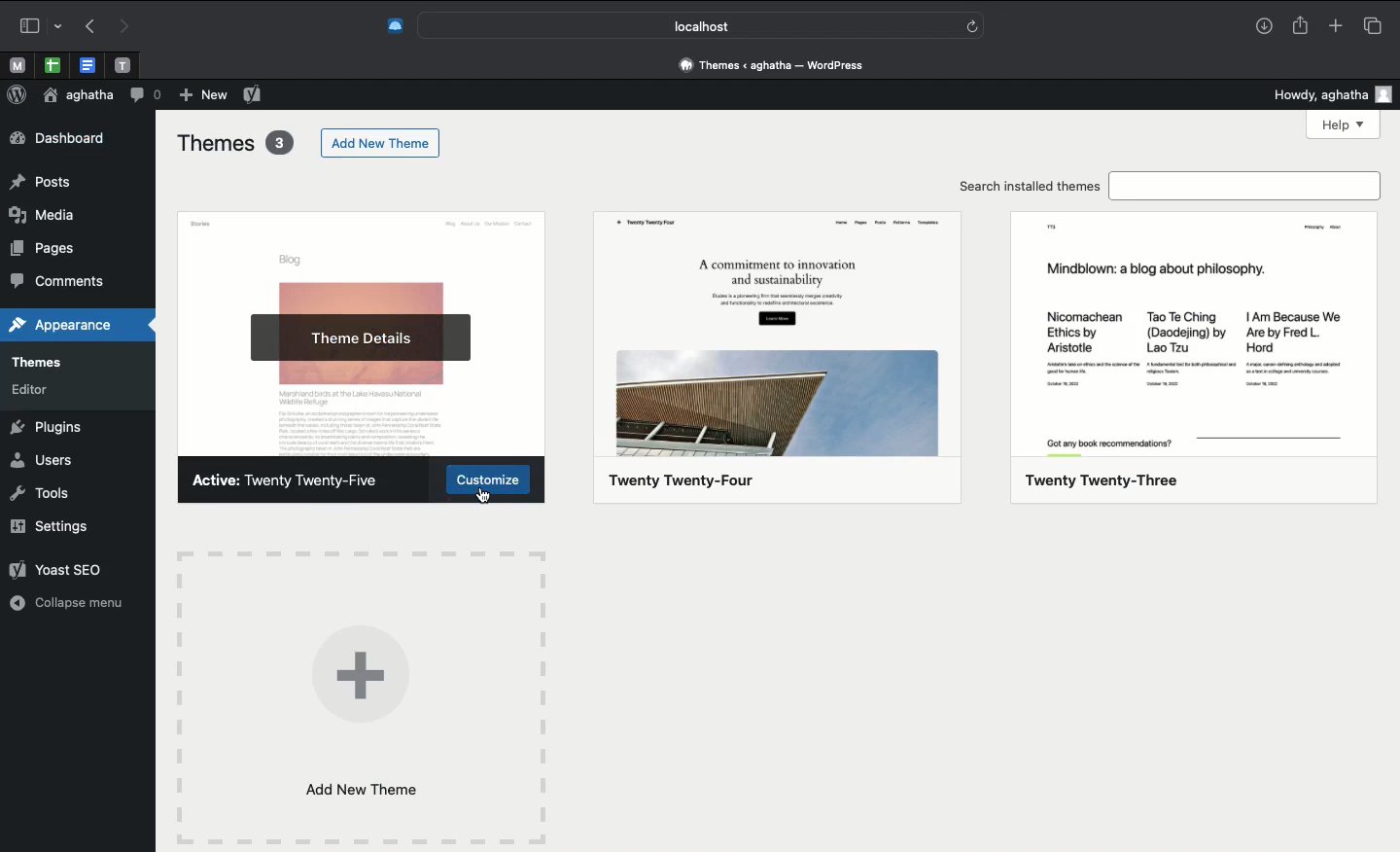 The image size is (1400, 852). Describe the element at coordinates (377, 143) in the screenshot. I see `Add new theme` at that location.